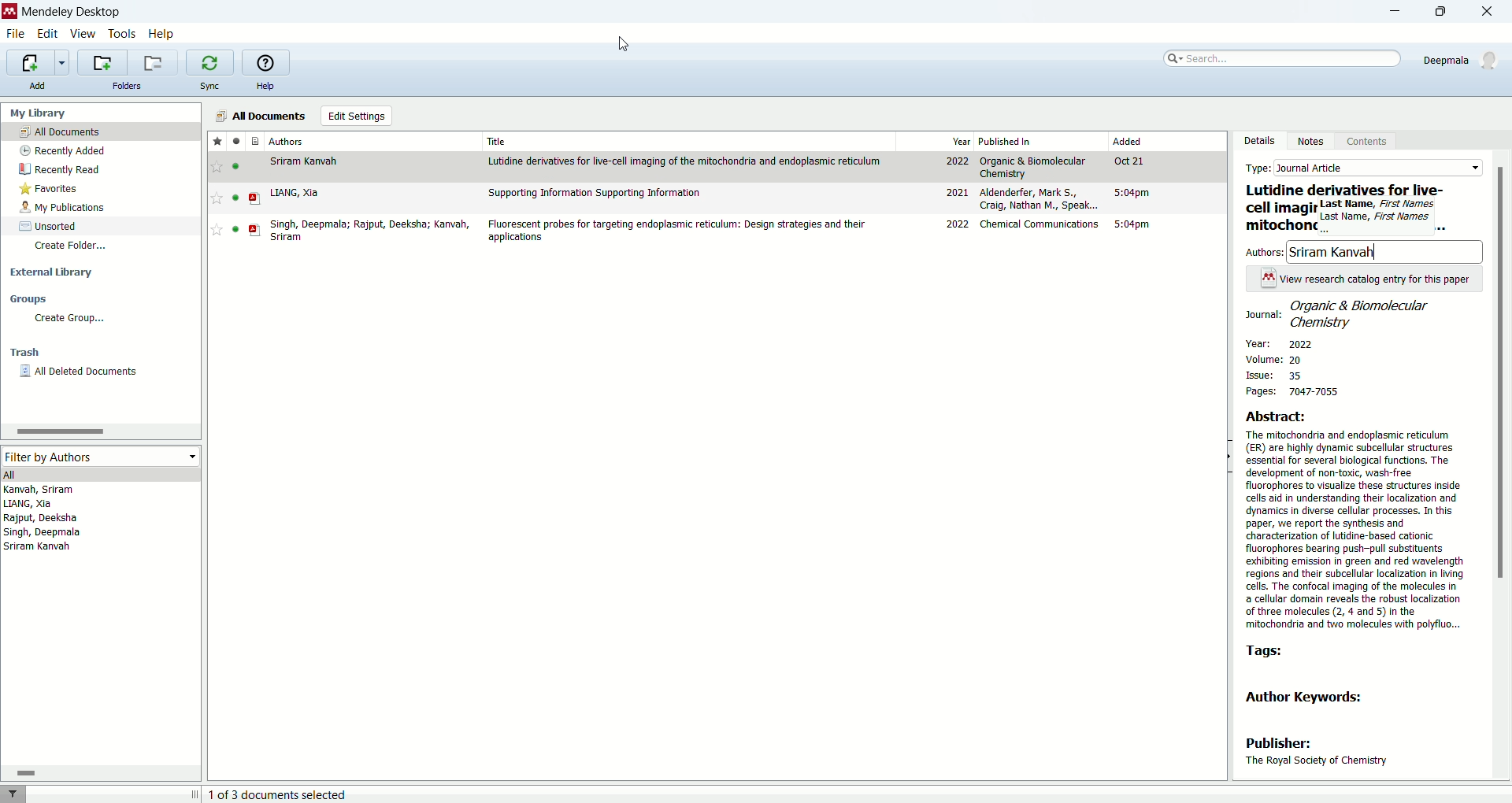 This screenshot has width=1512, height=803. I want to click on View research catalog entry for this paper, so click(1376, 279).